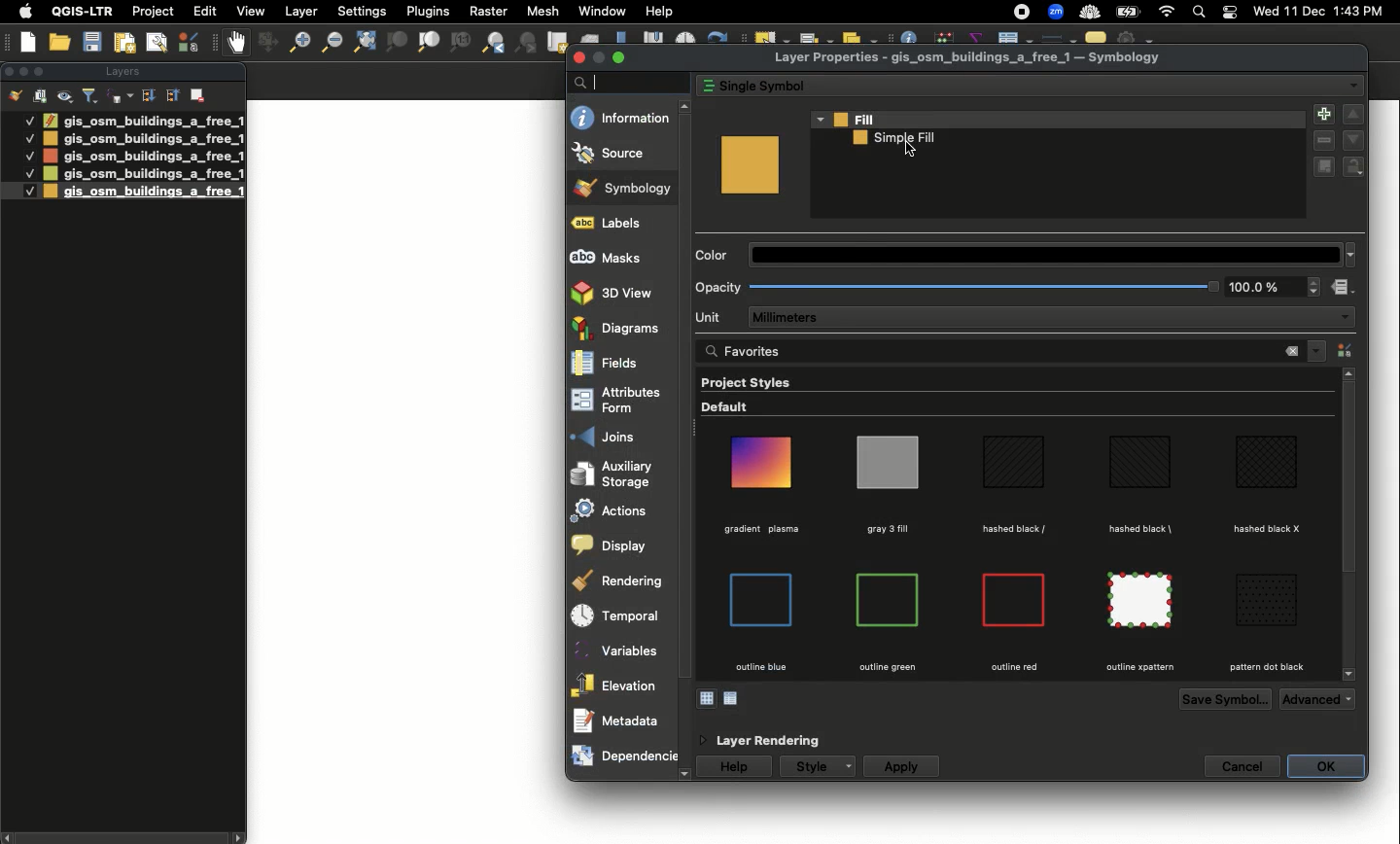  Describe the element at coordinates (620, 402) in the screenshot. I see `Attributes form` at that location.